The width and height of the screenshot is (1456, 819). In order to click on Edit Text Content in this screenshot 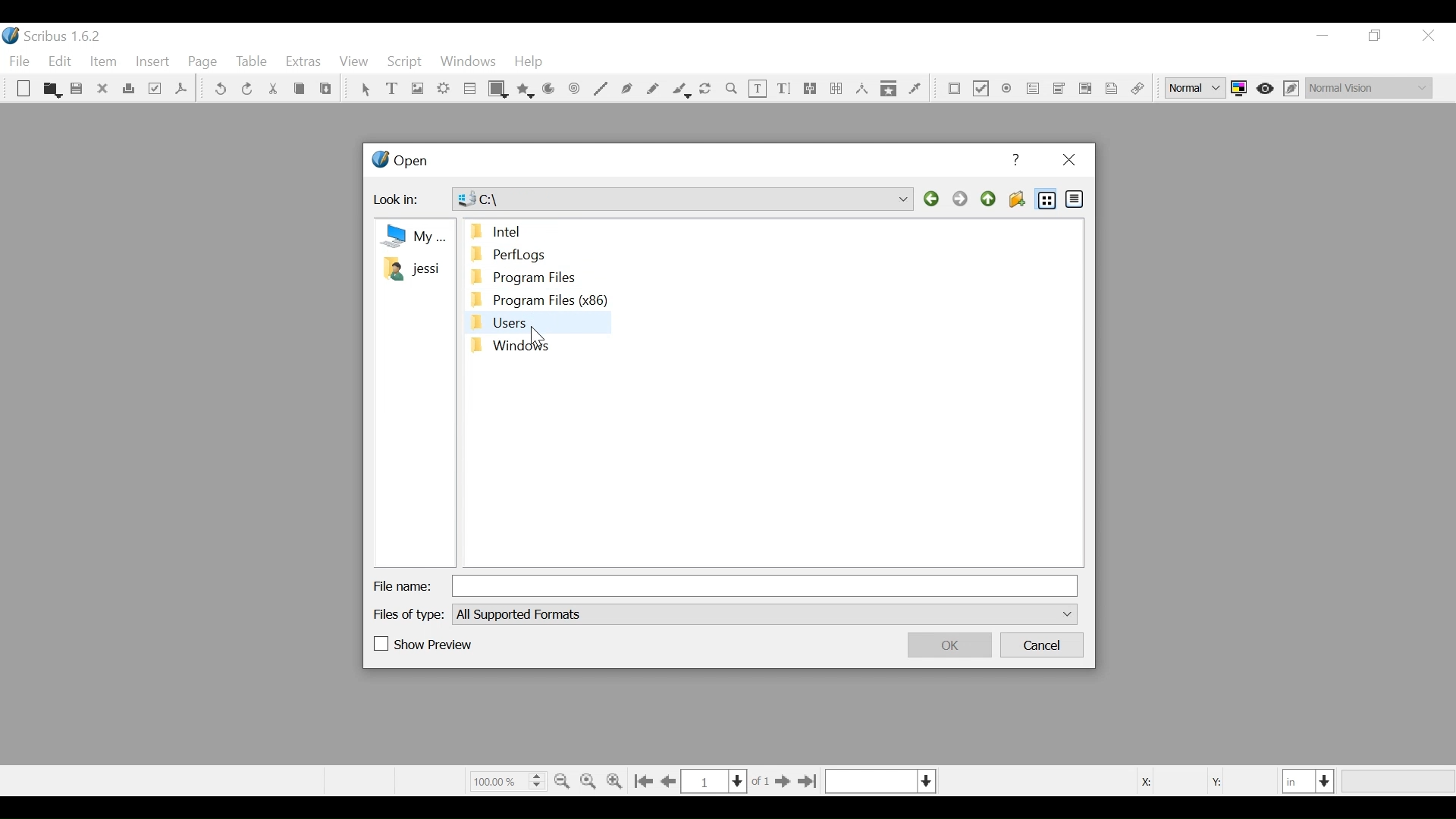, I will do `click(758, 89)`.